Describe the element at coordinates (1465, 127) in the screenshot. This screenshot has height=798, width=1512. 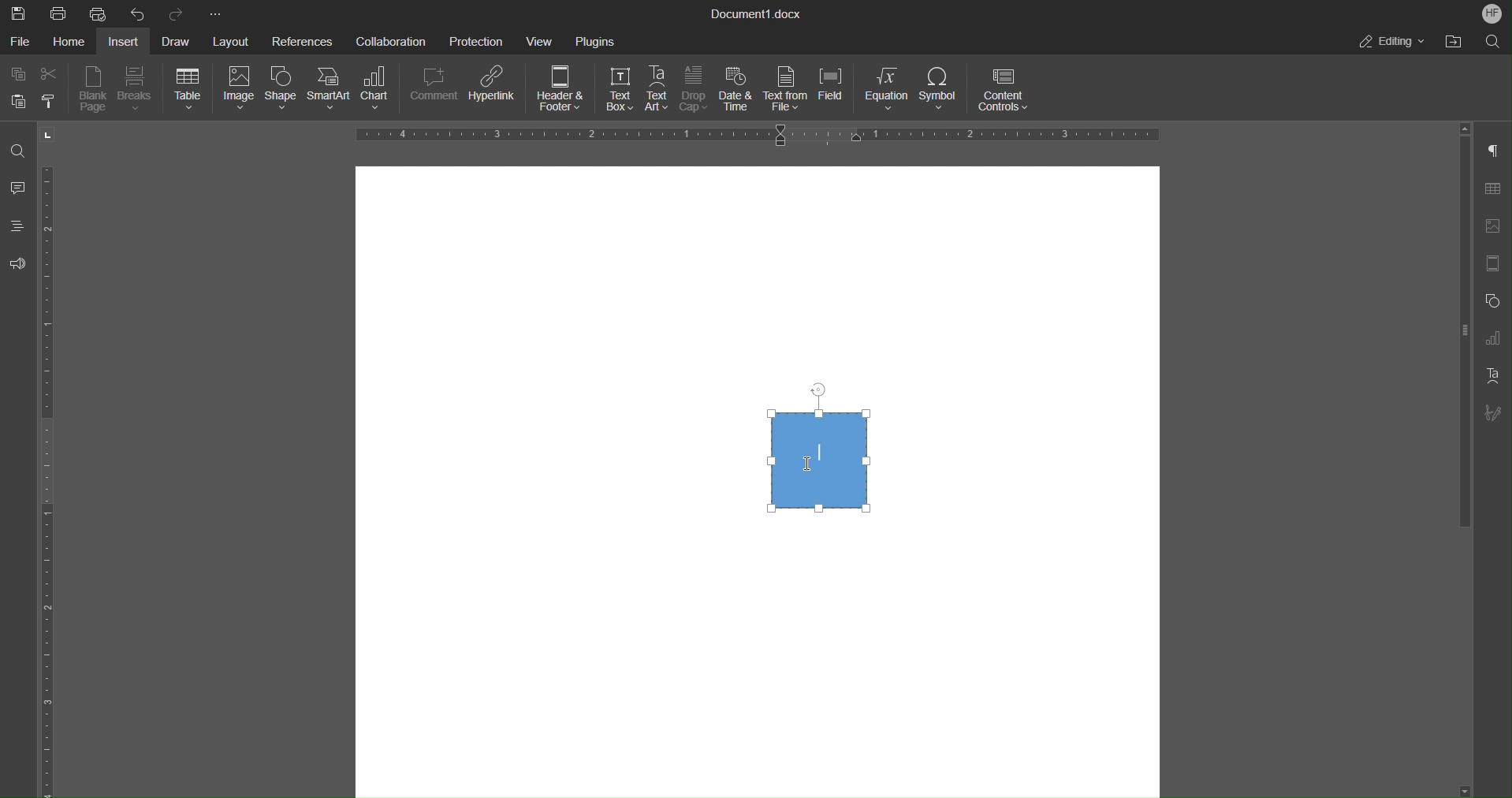
I see `Scroll up` at that location.